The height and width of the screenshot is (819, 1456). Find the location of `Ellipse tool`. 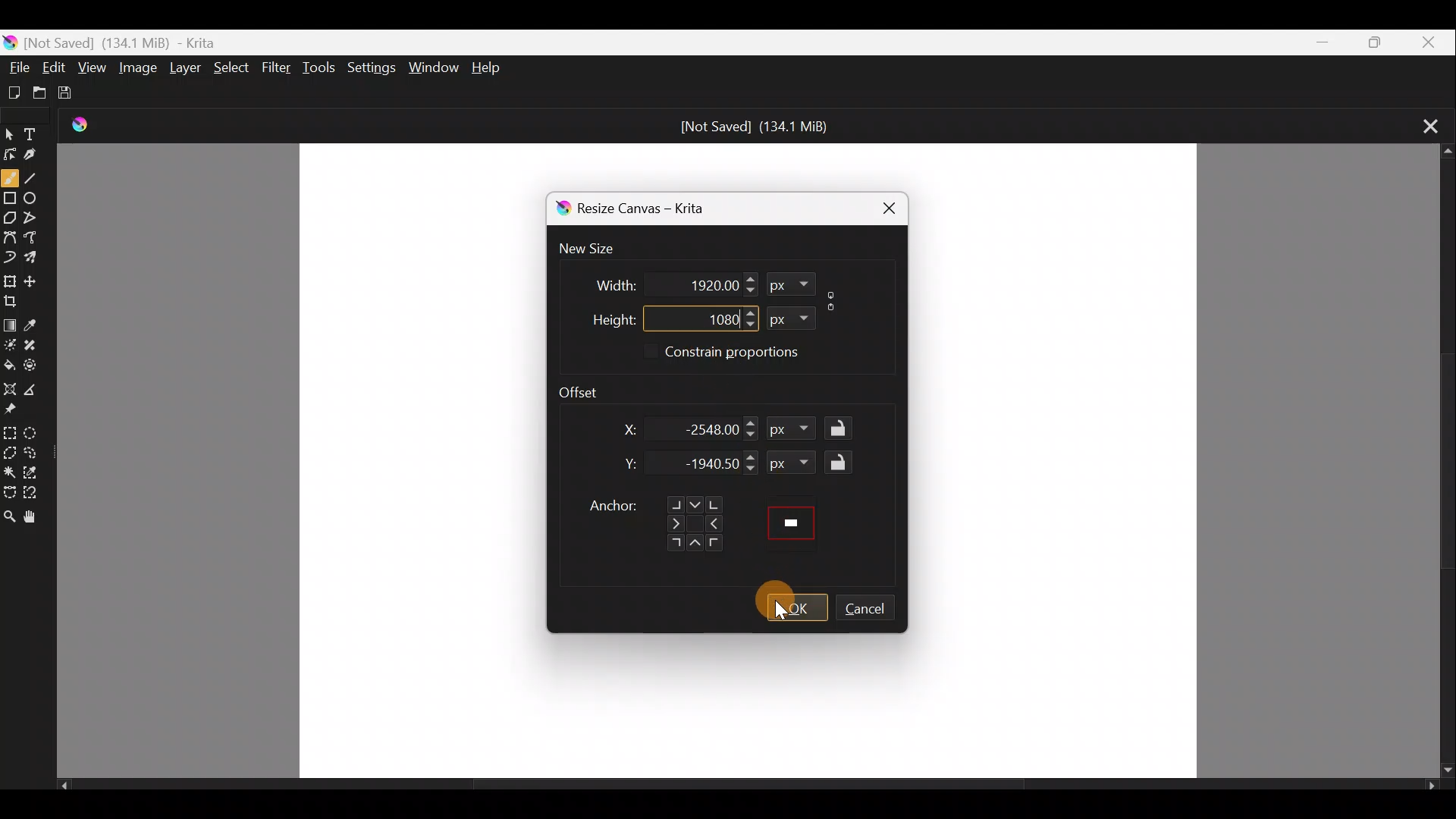

Ellipse tool is located at coordinates (35, 196).